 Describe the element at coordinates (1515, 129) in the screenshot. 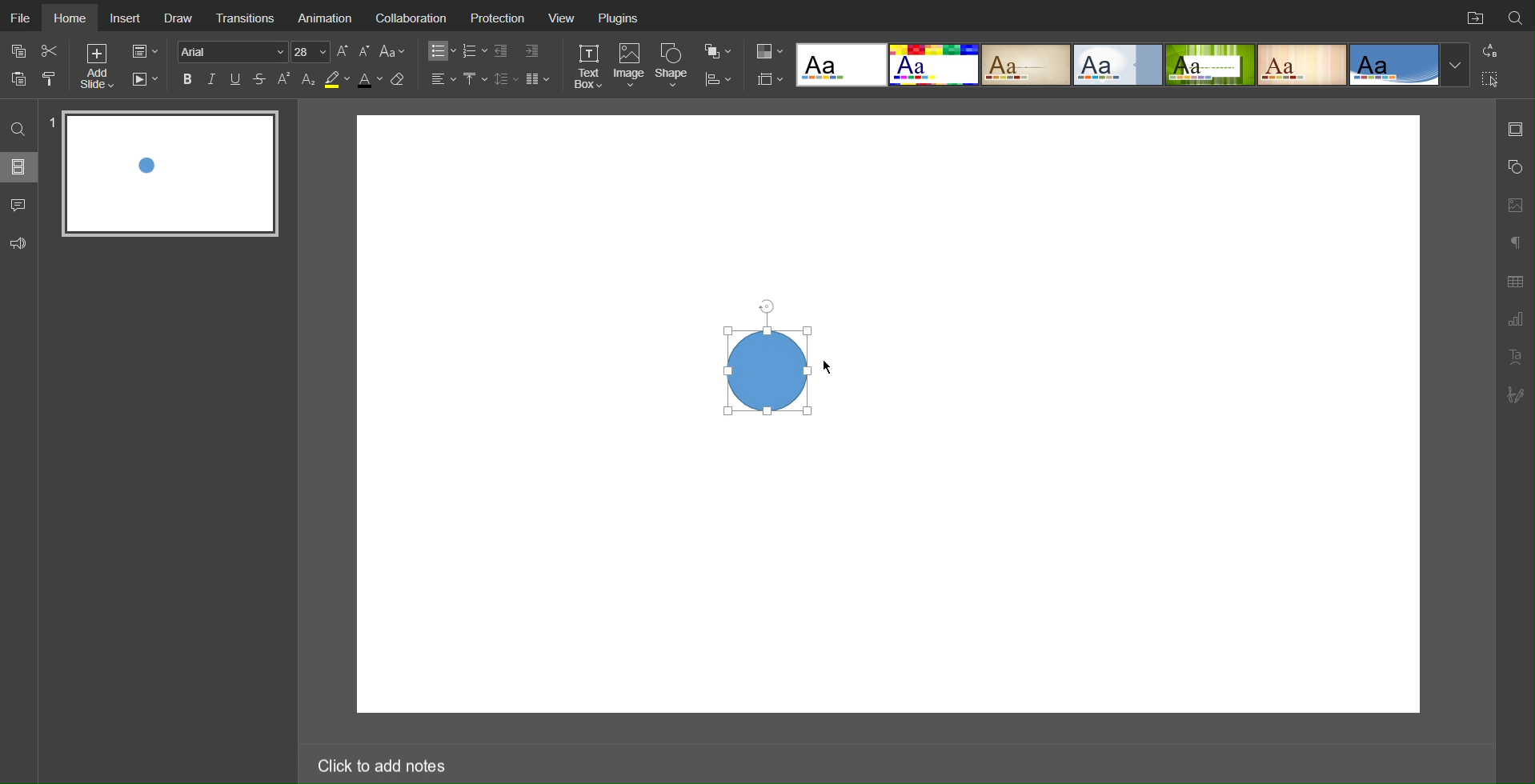

I see `Slide Settings` at that location.